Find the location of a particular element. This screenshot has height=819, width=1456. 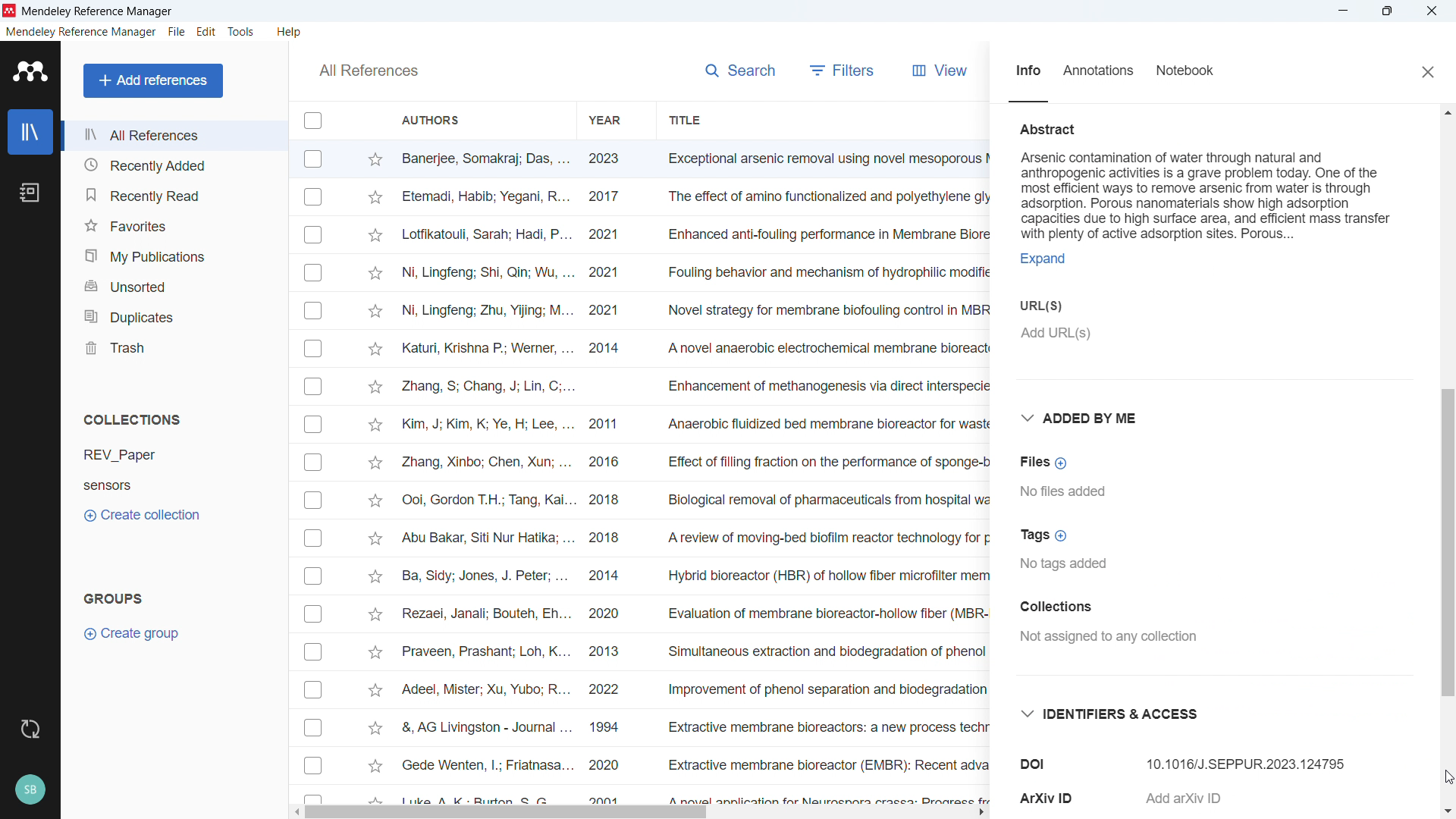

not assigned to any collection is located at coordinates (1113, 638).